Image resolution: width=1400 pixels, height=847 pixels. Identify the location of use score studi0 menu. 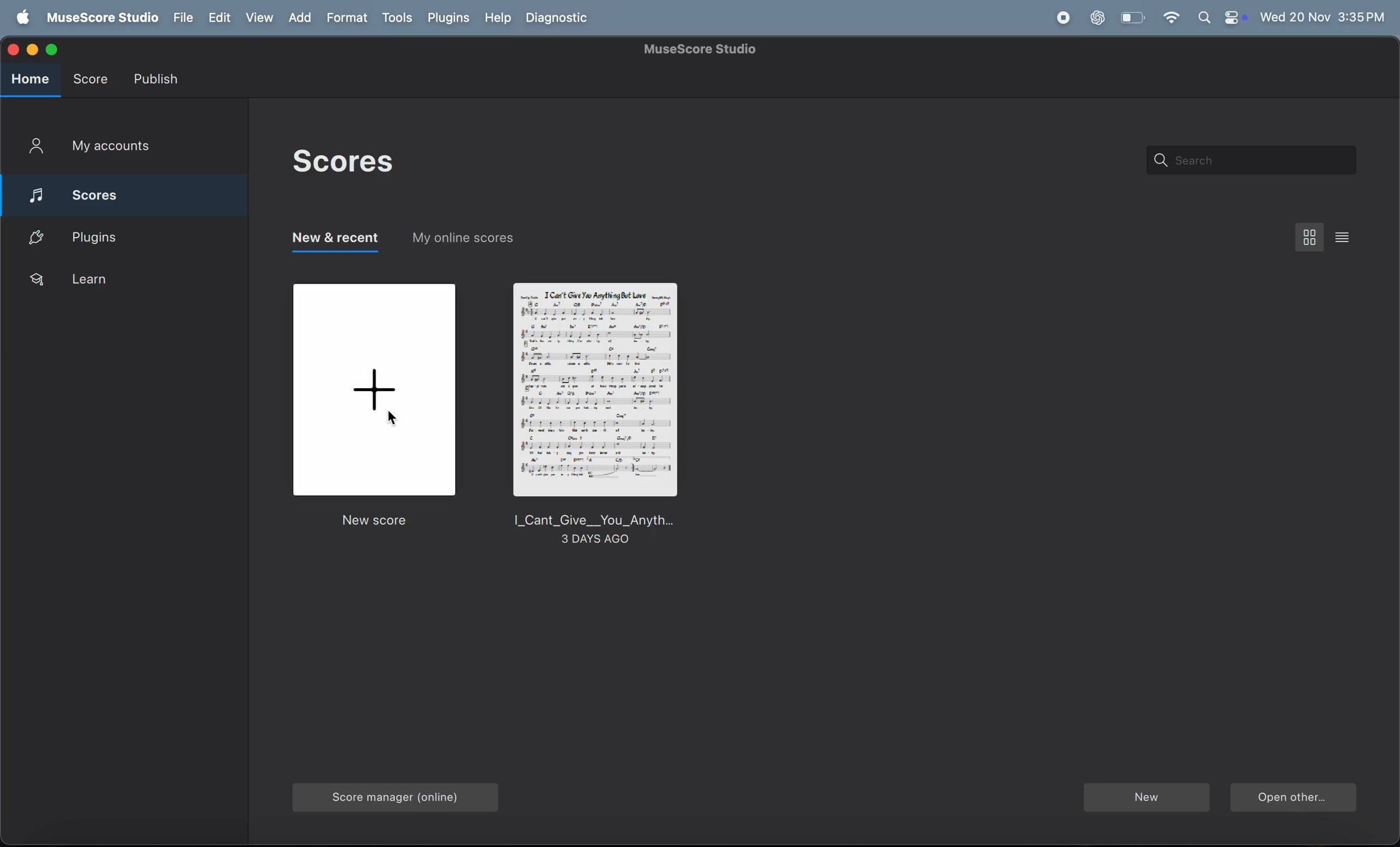
(99, 18).